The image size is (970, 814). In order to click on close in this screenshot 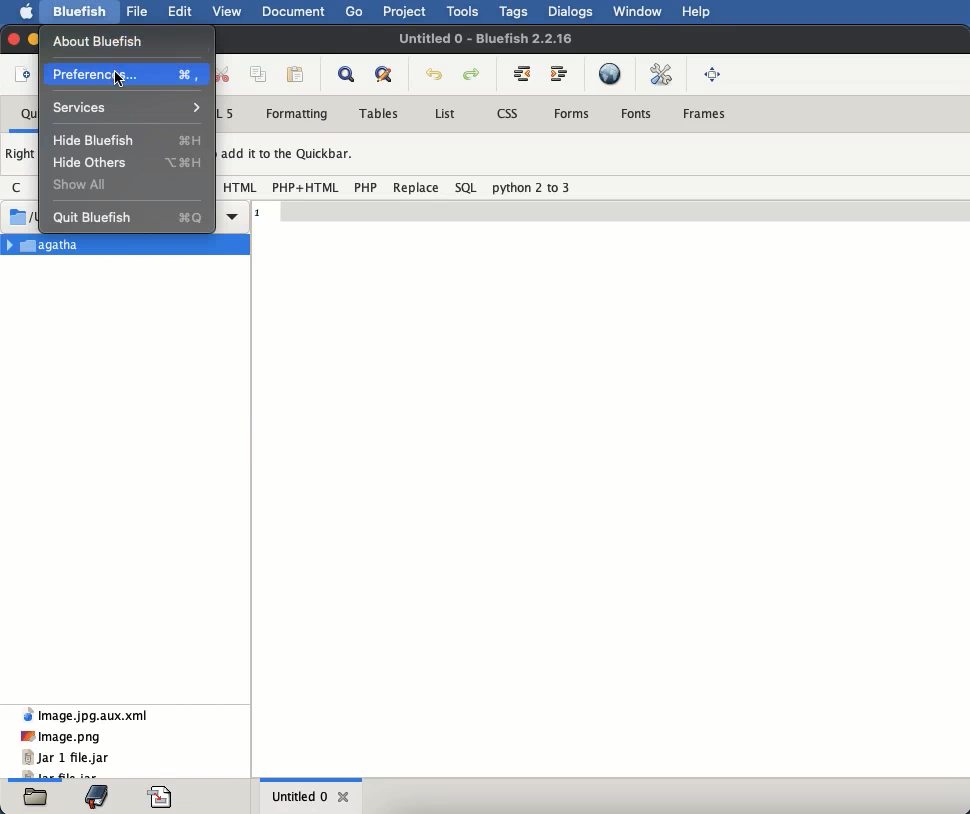, I will do `click(12, 40)`.